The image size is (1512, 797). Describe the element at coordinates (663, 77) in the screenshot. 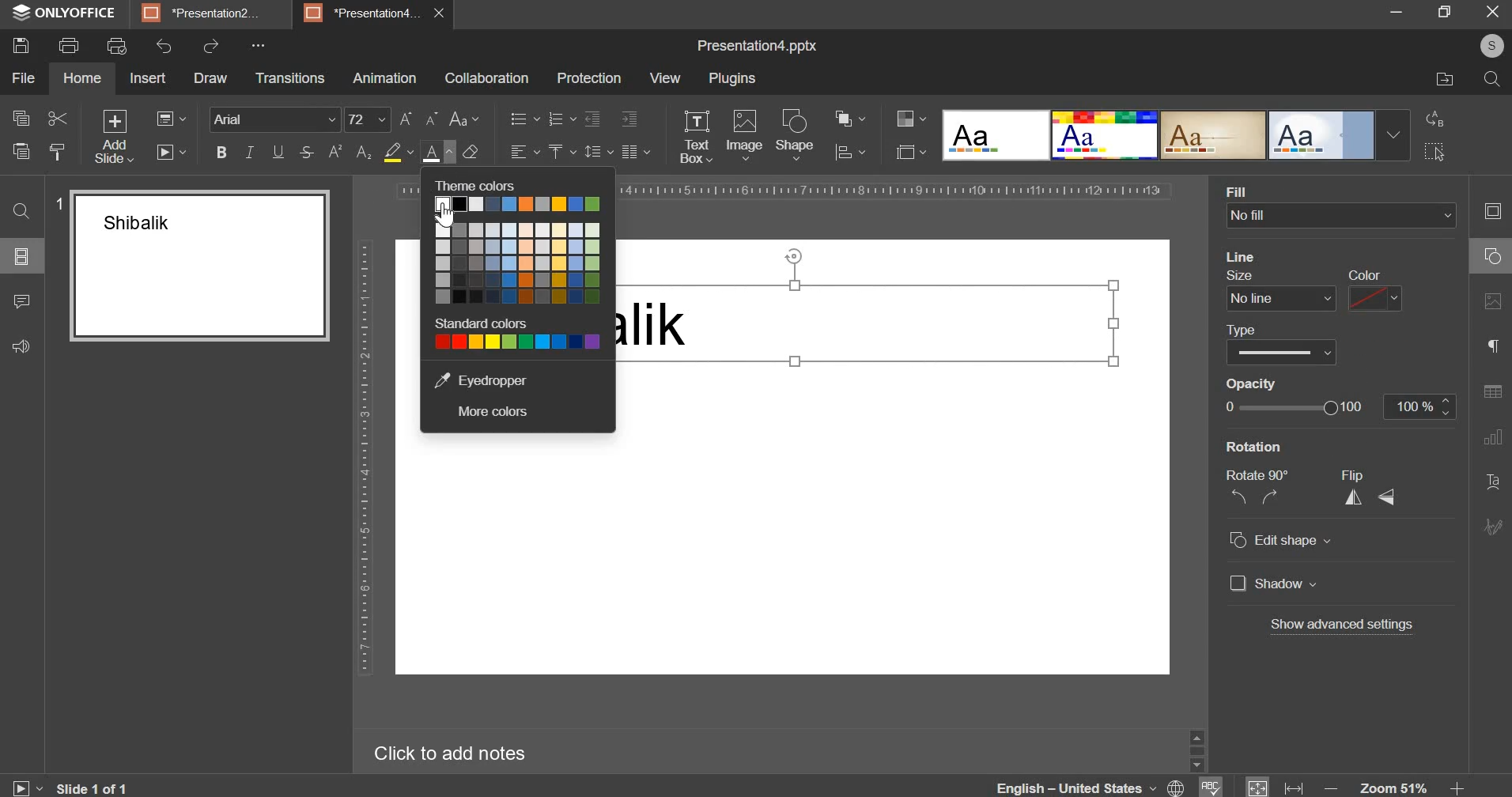

I see `view` at that location.